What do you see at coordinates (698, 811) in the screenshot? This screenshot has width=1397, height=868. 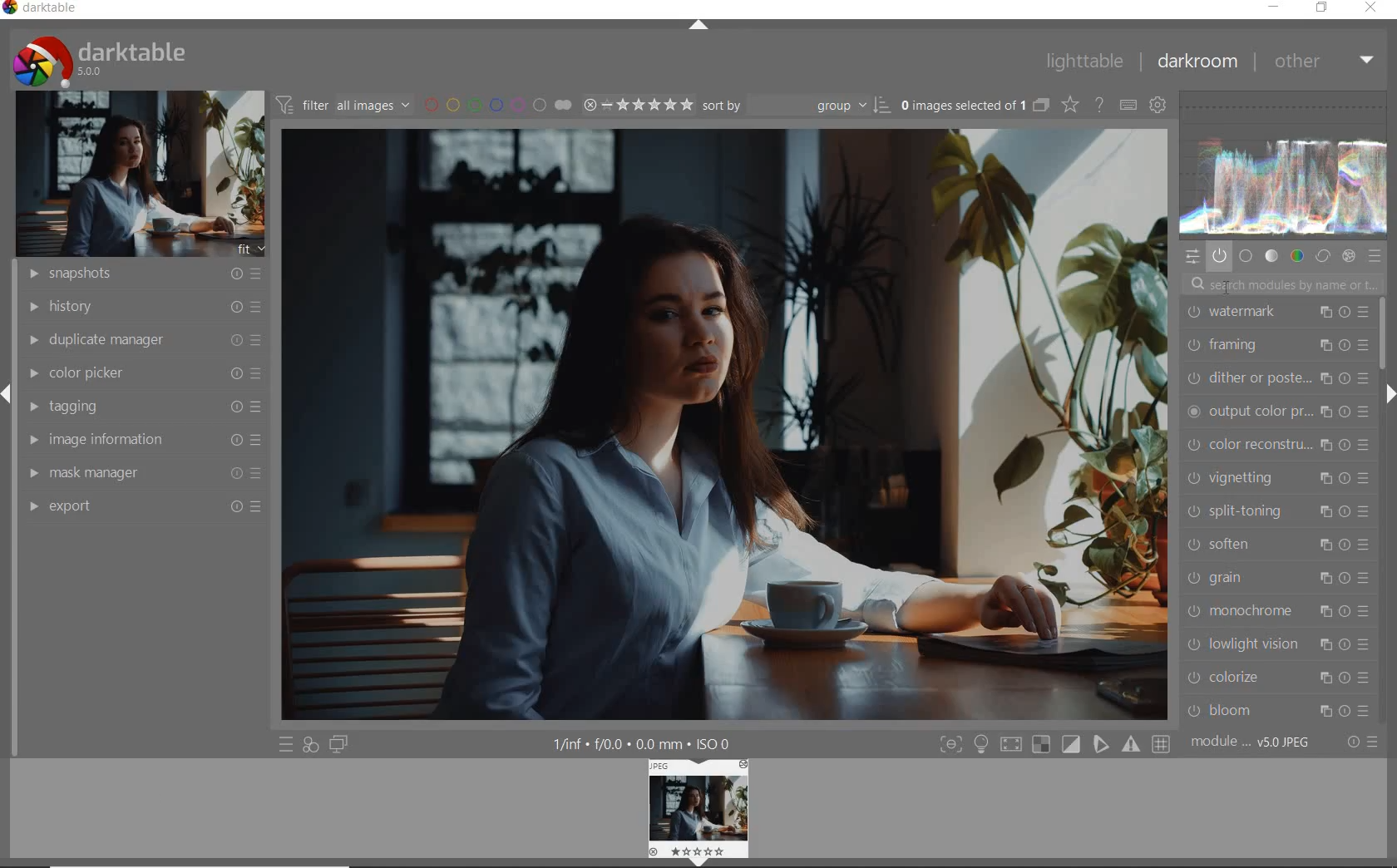 I see `Image preview` at bounding box center [698, 811].